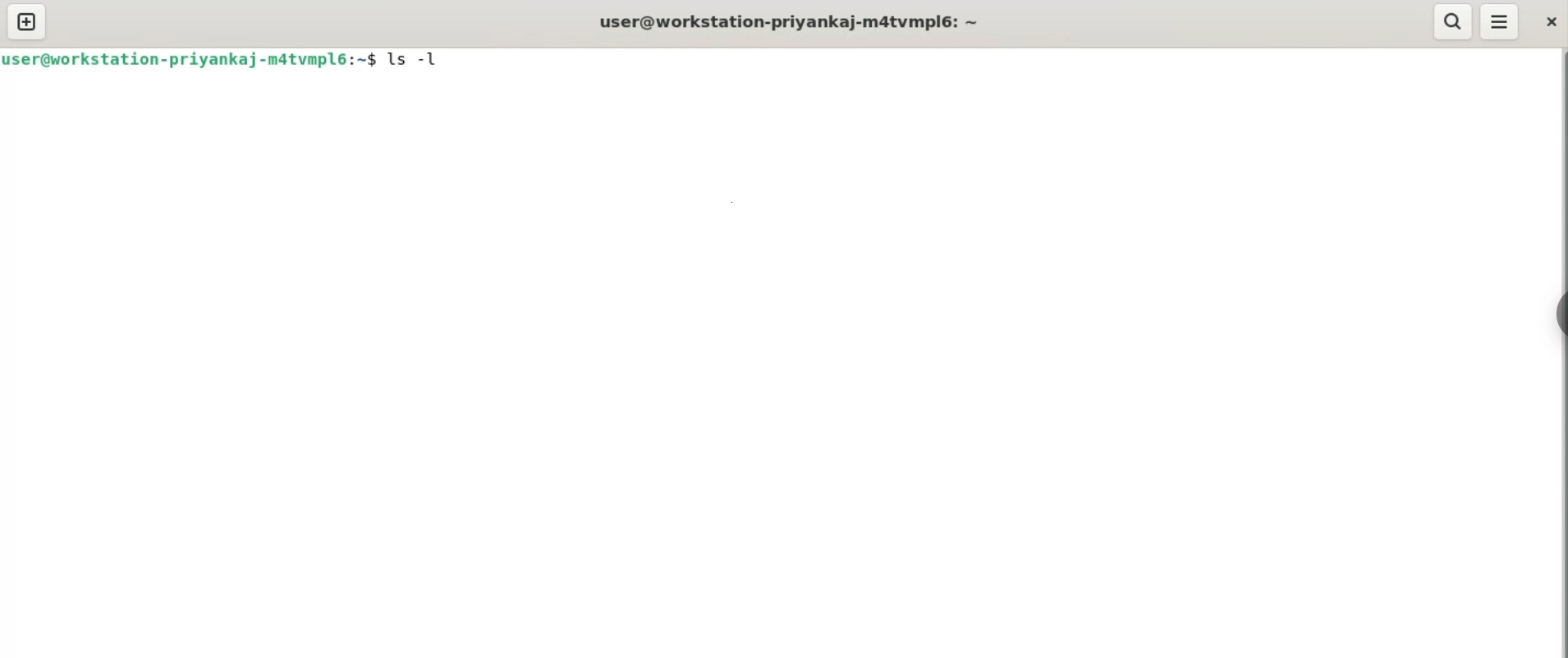 The image size is (1568, 658). What do you see at coordinates (1499, 21) in the screenshot?
I see `menu` at bounding box center [1499, 21].